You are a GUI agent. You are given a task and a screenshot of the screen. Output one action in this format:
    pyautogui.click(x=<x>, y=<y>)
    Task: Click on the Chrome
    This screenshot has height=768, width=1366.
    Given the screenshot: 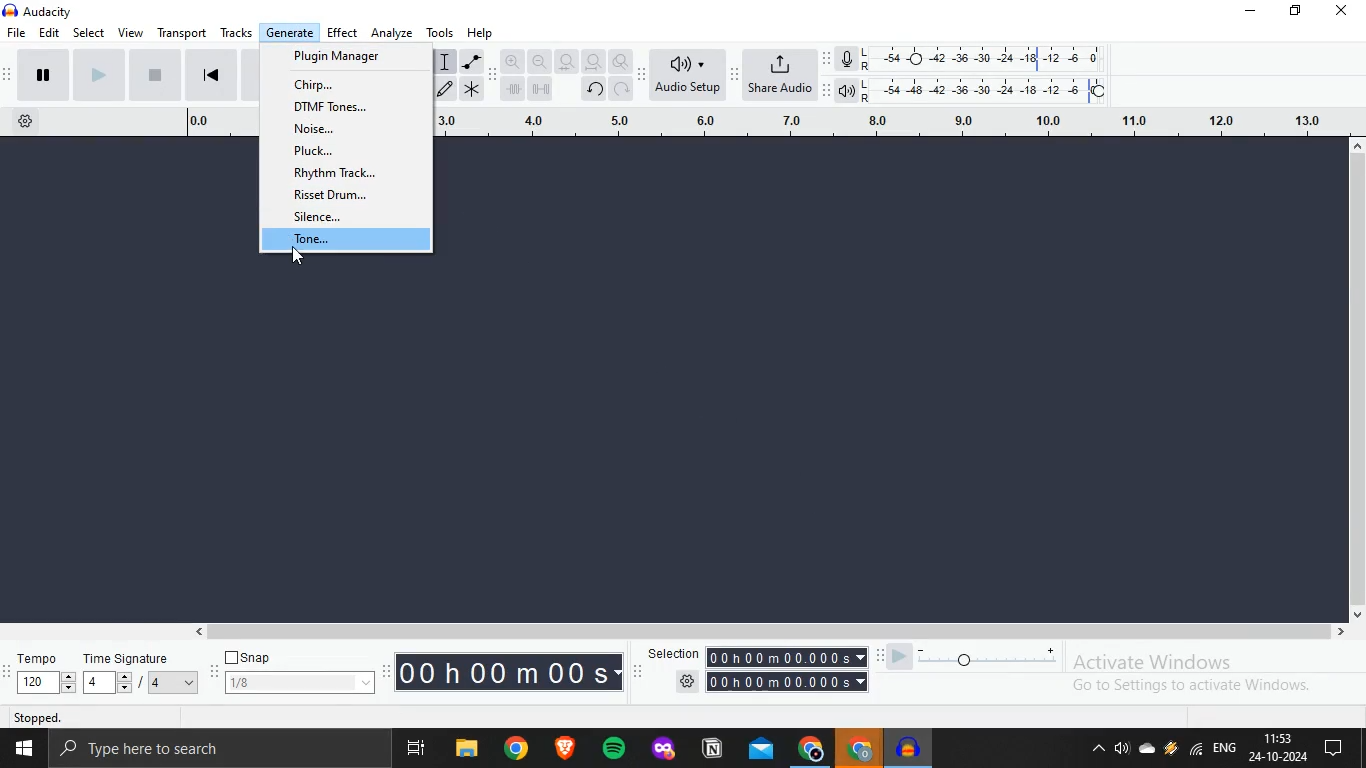 What is the action you would take?
    pyautogui.click(x=520, y=750)
    